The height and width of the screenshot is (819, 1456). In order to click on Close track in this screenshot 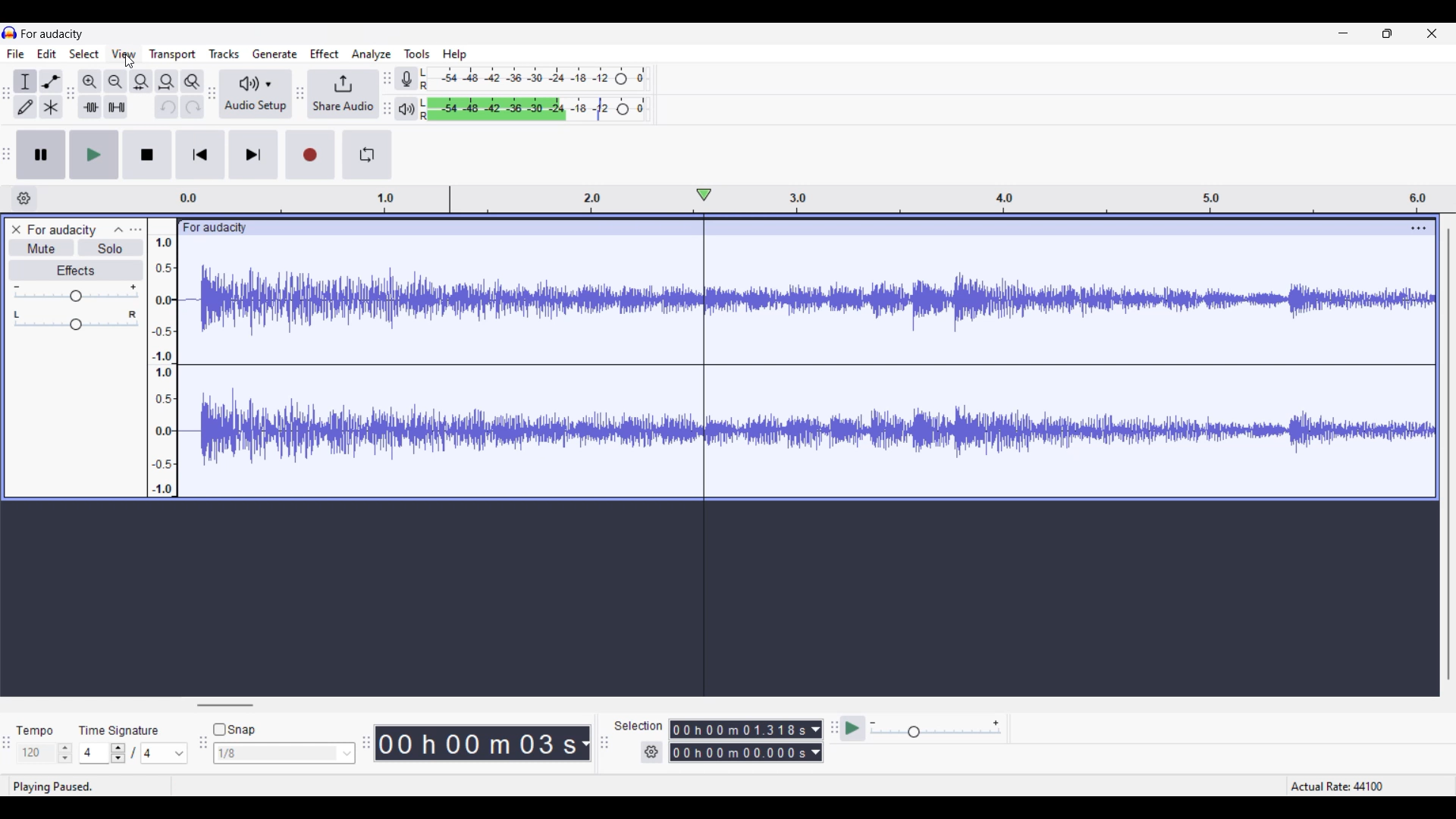, I will do `click(16, 230)`.